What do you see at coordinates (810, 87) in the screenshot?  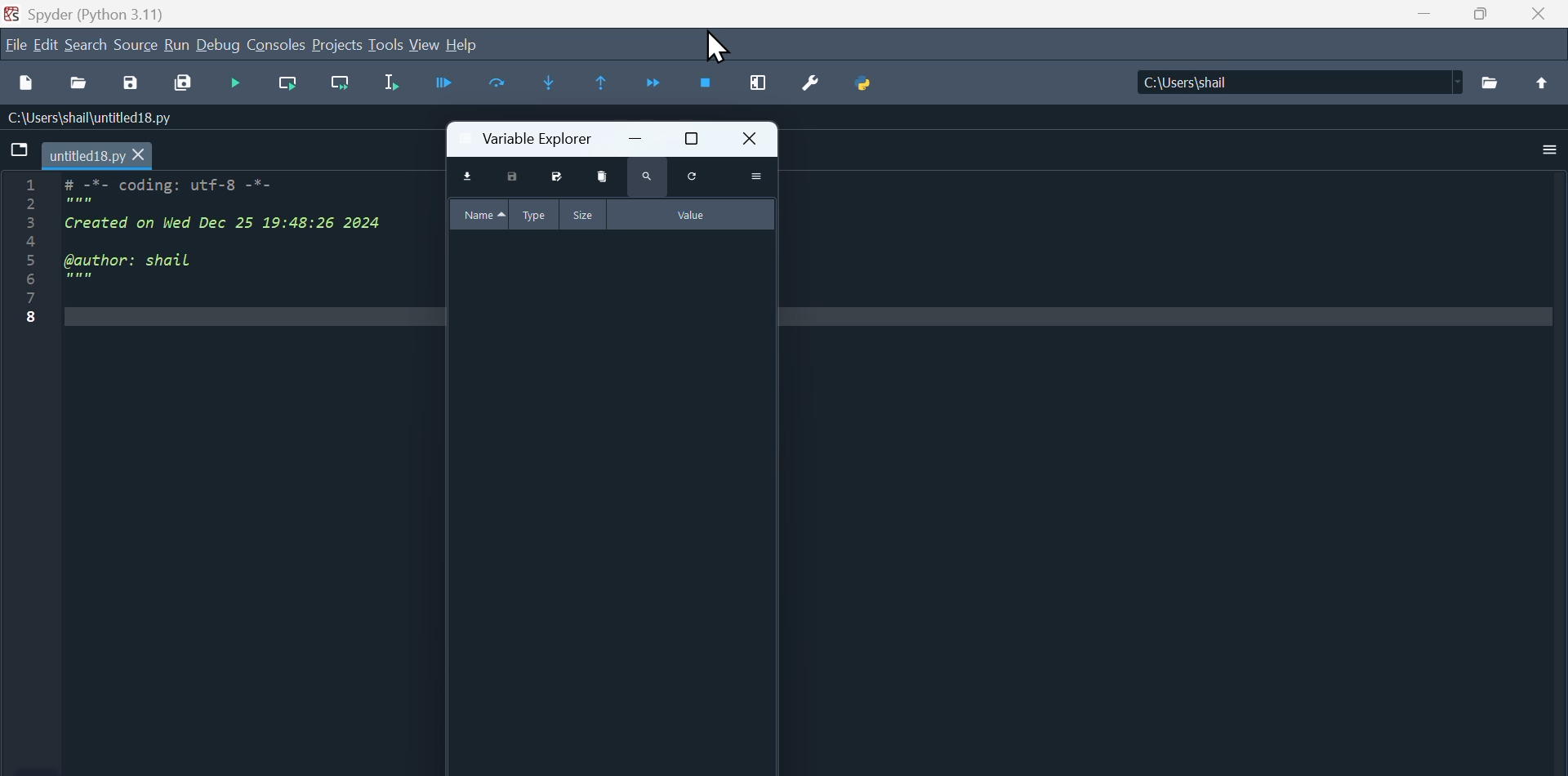 I see `Settings` at bounding box center [810, 87].